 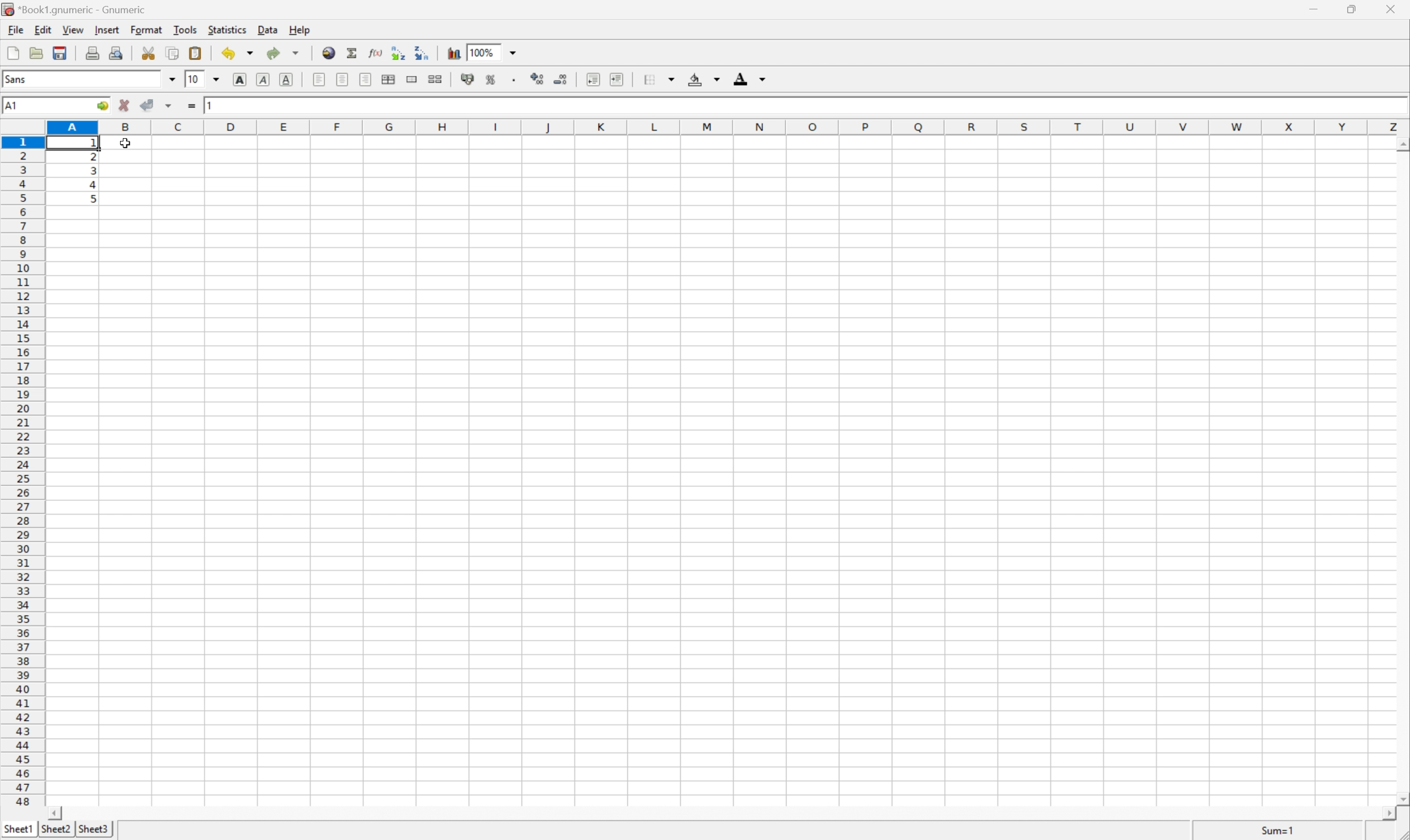 What do you see at coordinates (727, 126) in the screenshot?
I see `Column names` at bounding box center [727, 126].